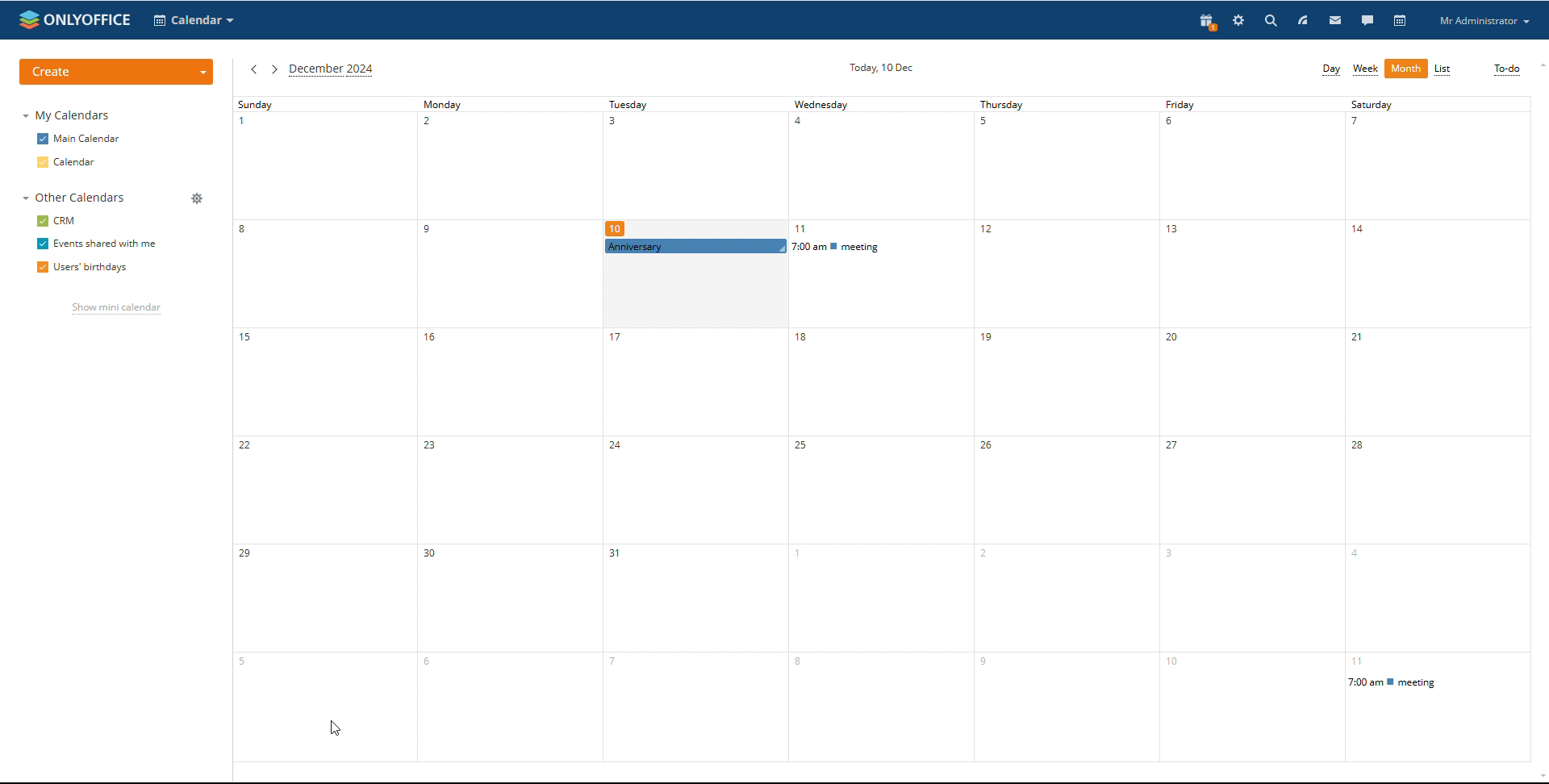 This screenshot has height=784, width=1549. Describe the element at coordinates (198, 199) in the screenshot. I see `manage` at that location.